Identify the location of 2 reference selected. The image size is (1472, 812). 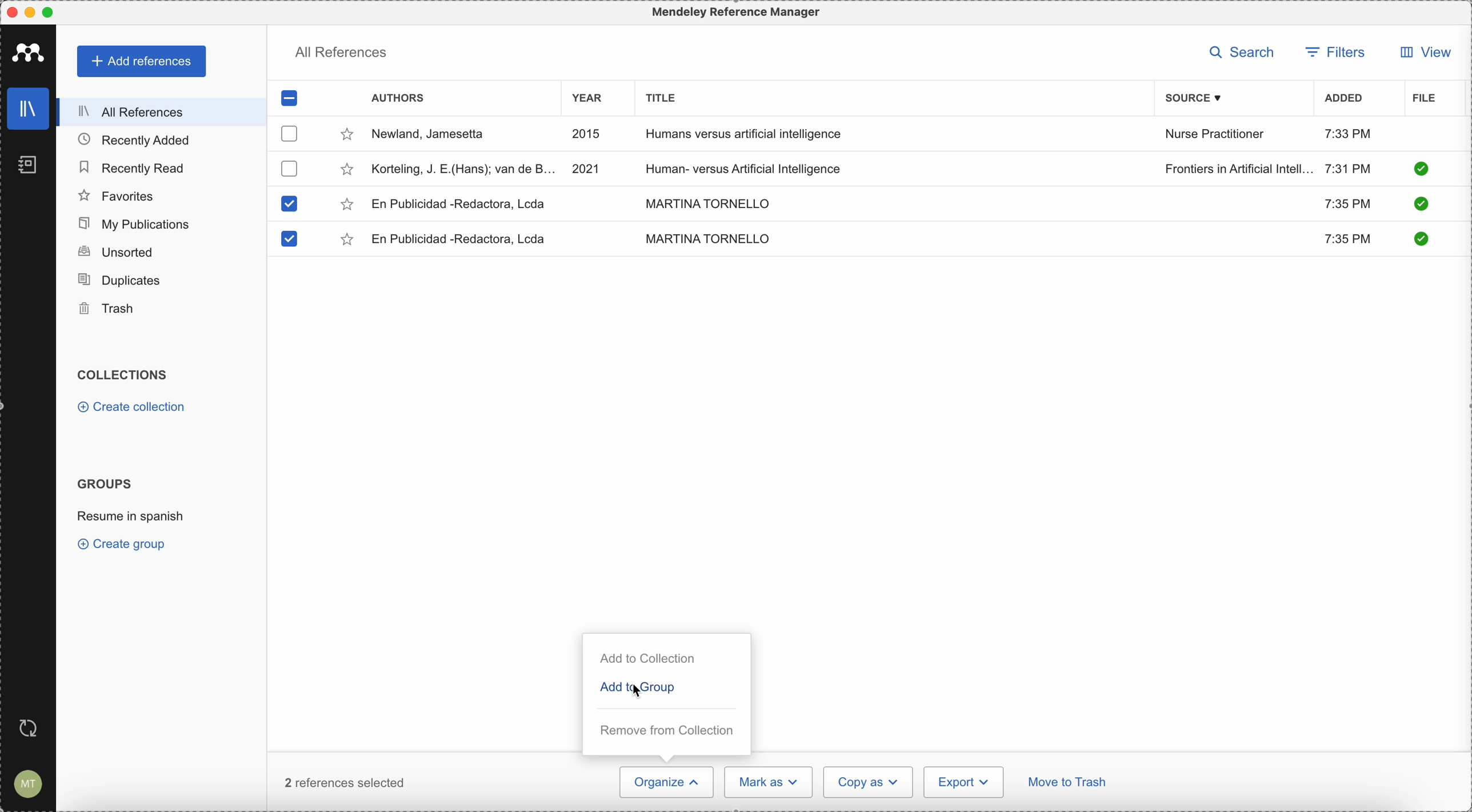
(348, 782).